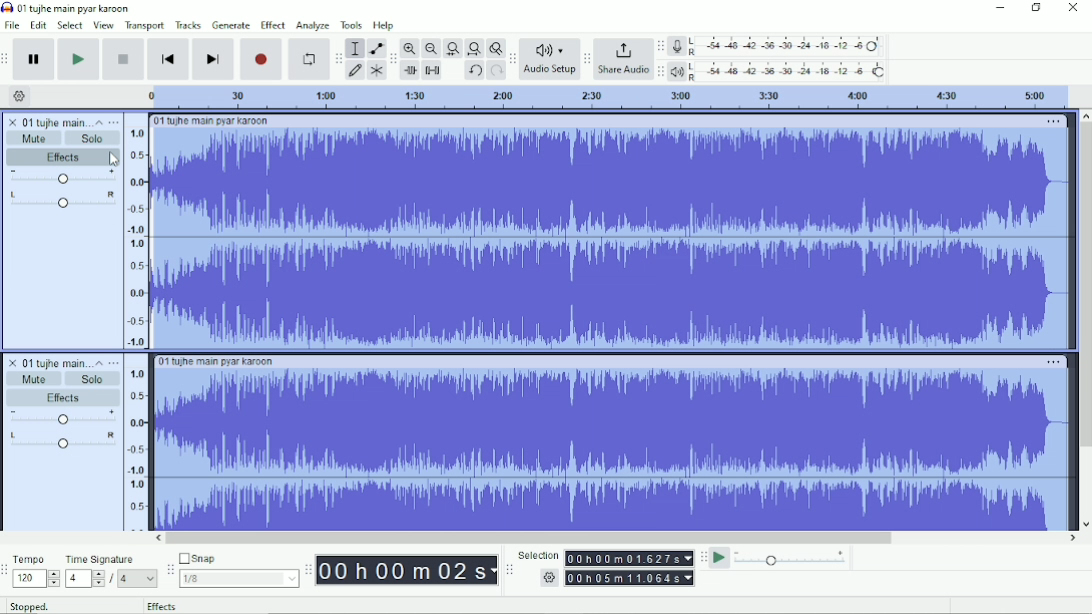  I want to click on Tracks, so click(188, 25).